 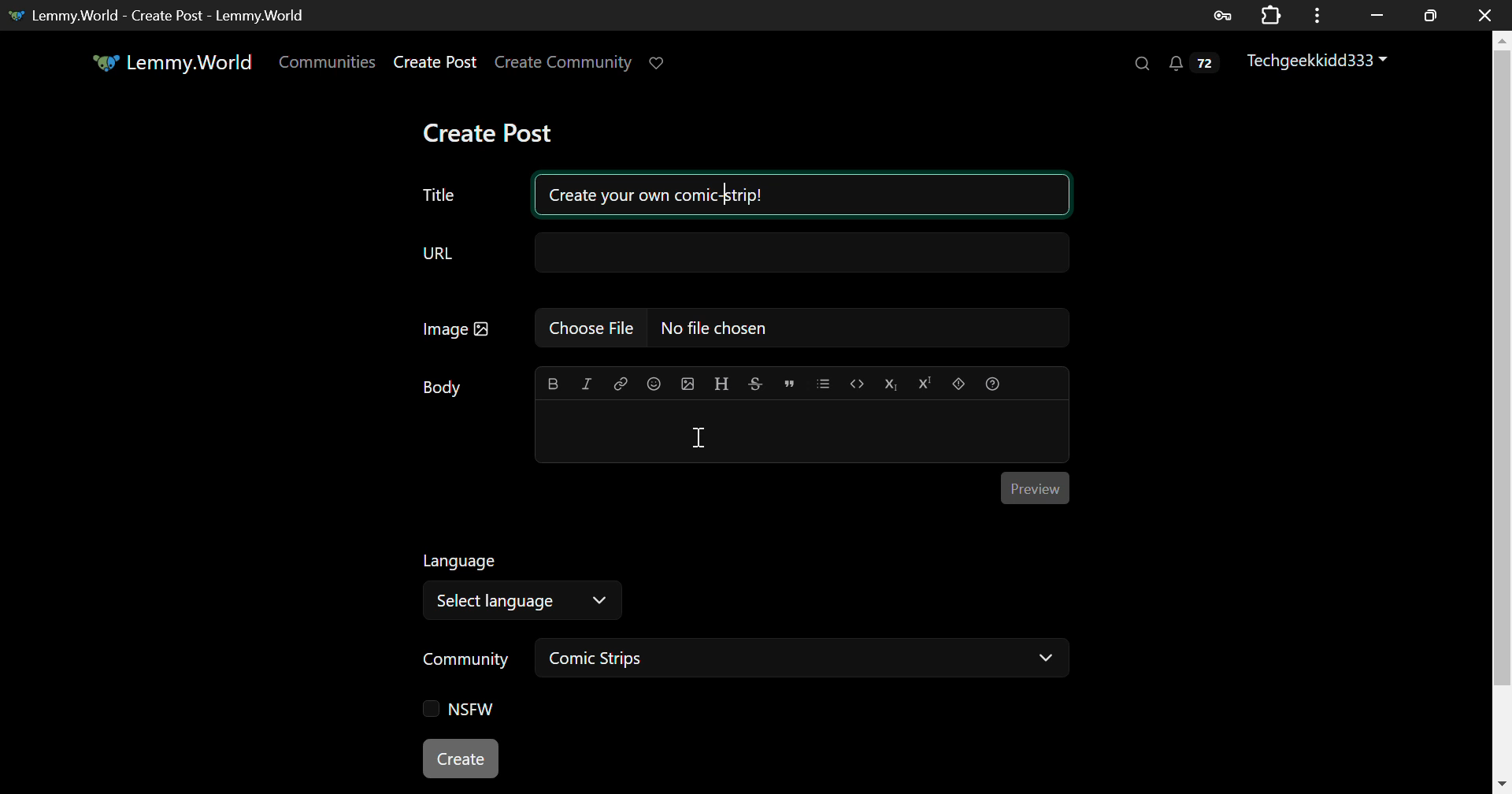 I want to click on Code, so click(x=858, y=385).